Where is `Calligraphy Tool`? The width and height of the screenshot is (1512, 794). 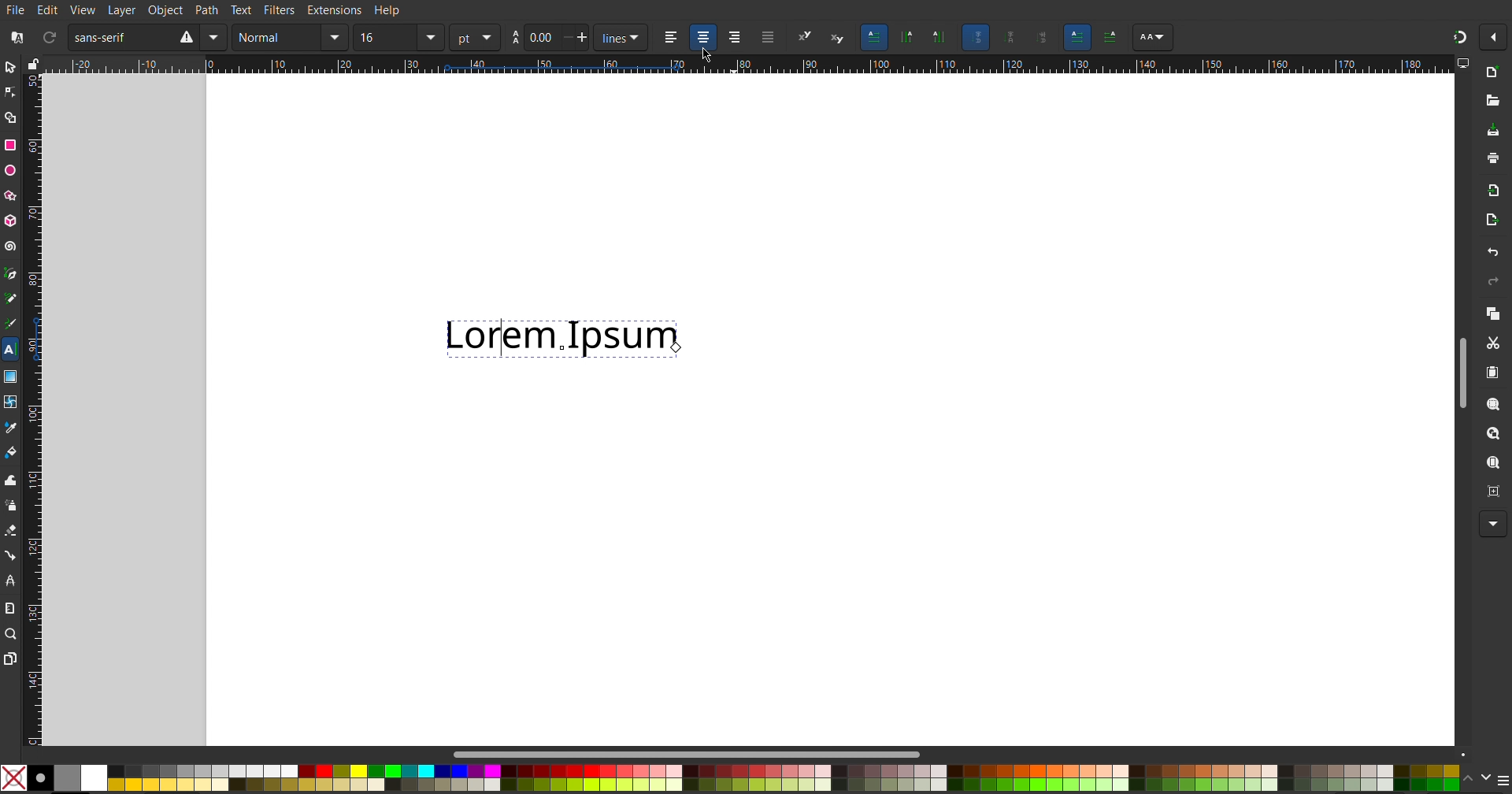
Calligraphy Tool is located at coordinates (15, 323).